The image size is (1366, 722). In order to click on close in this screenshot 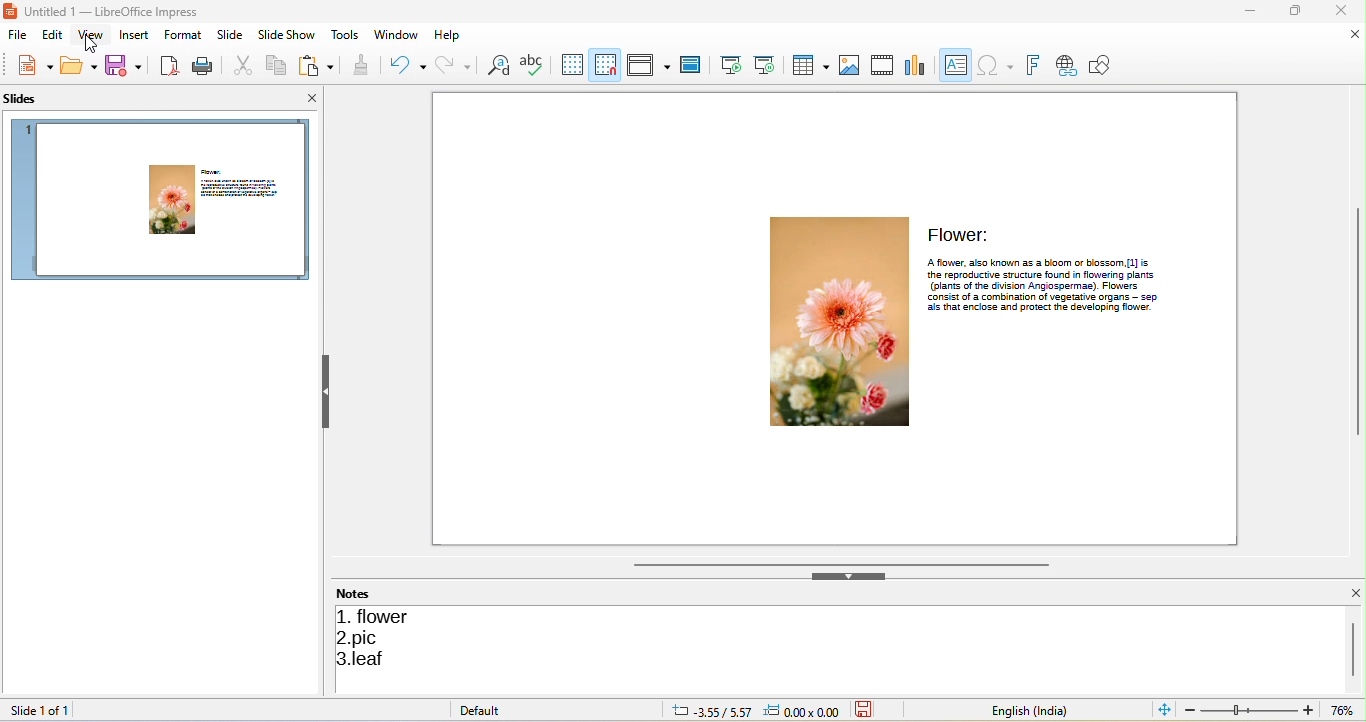, I will do `click(306, 97)`.